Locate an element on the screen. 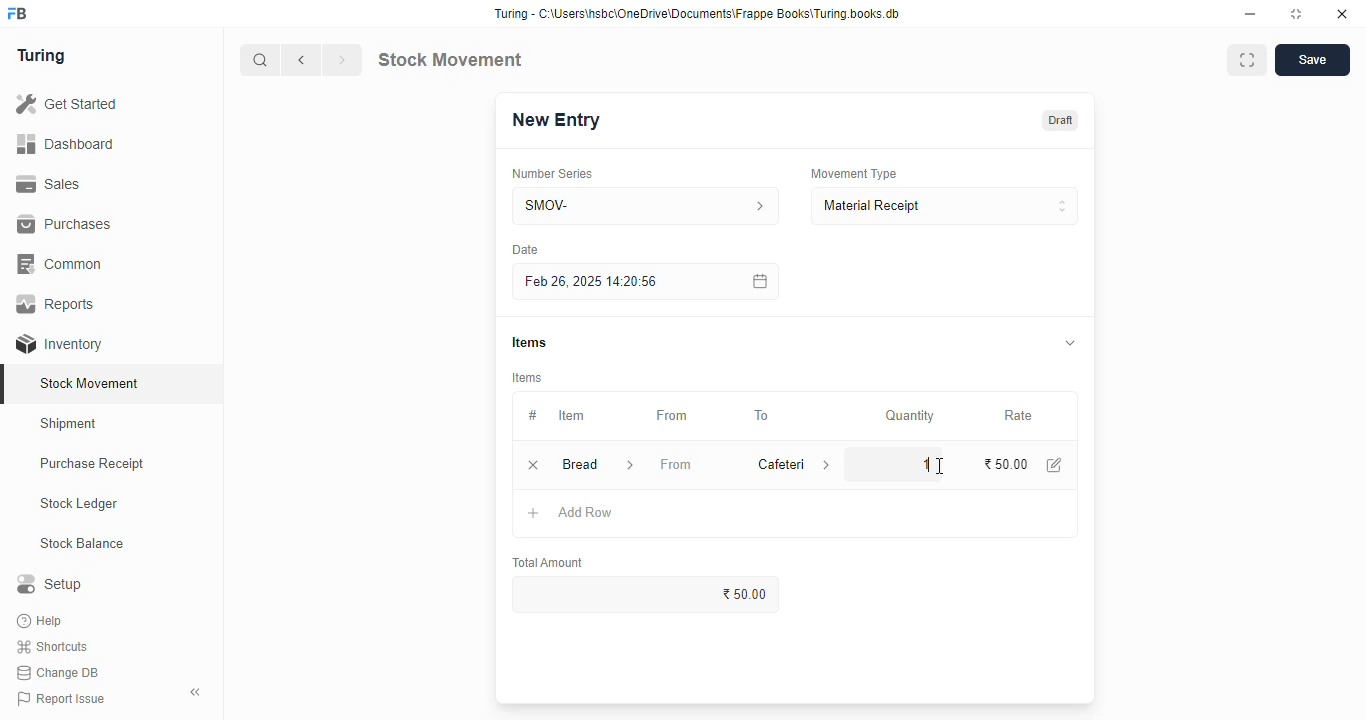 This screenshot has width=1366, height=720. cafeteria is located at coordinates (776, 464).